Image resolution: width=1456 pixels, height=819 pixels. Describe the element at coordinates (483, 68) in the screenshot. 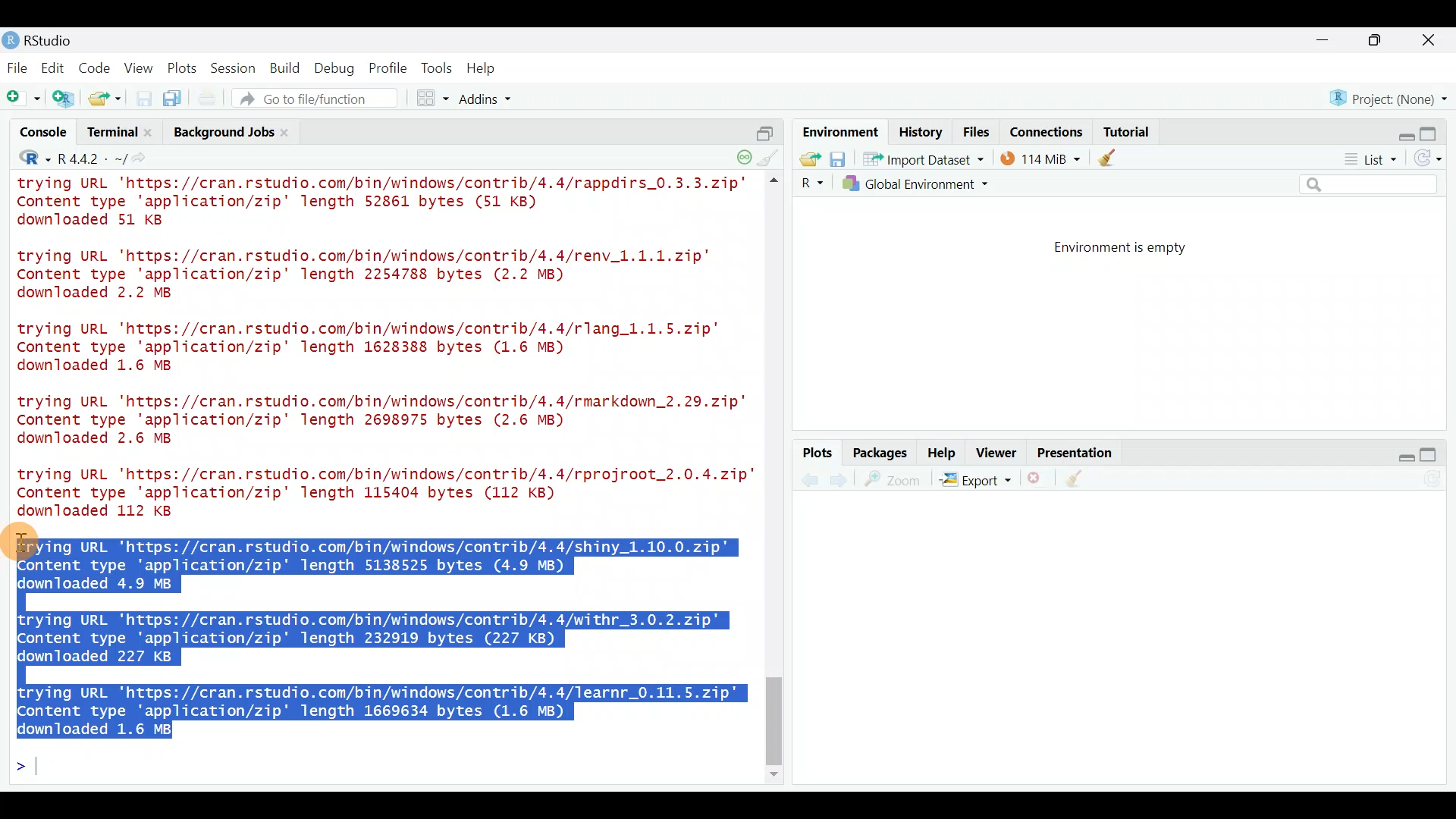

I see `Help` at that location.